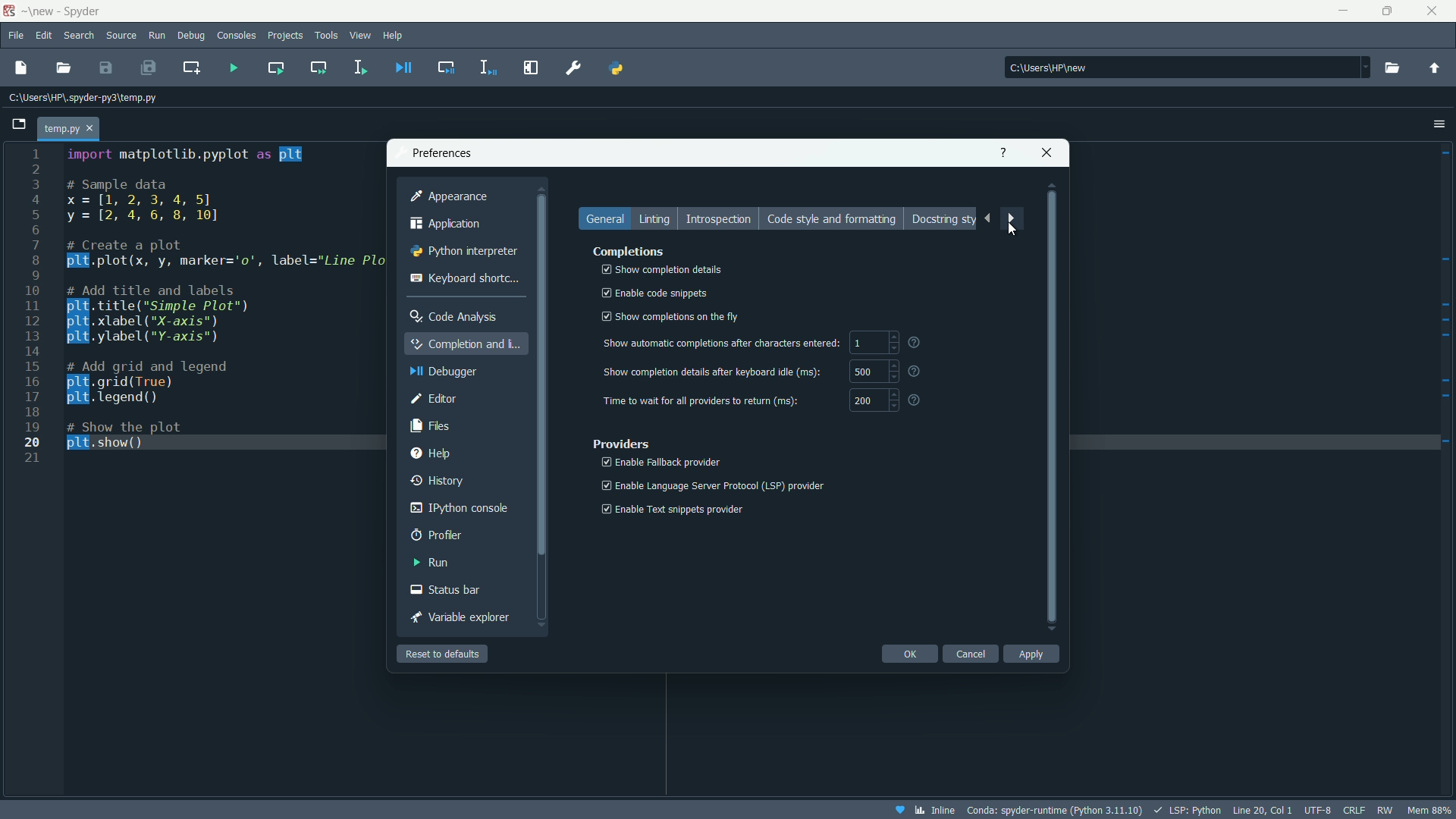 The image size is (1456, 819). Describe the element at coordinates (1003, 152) in the screenshot. I see `help` at that location.